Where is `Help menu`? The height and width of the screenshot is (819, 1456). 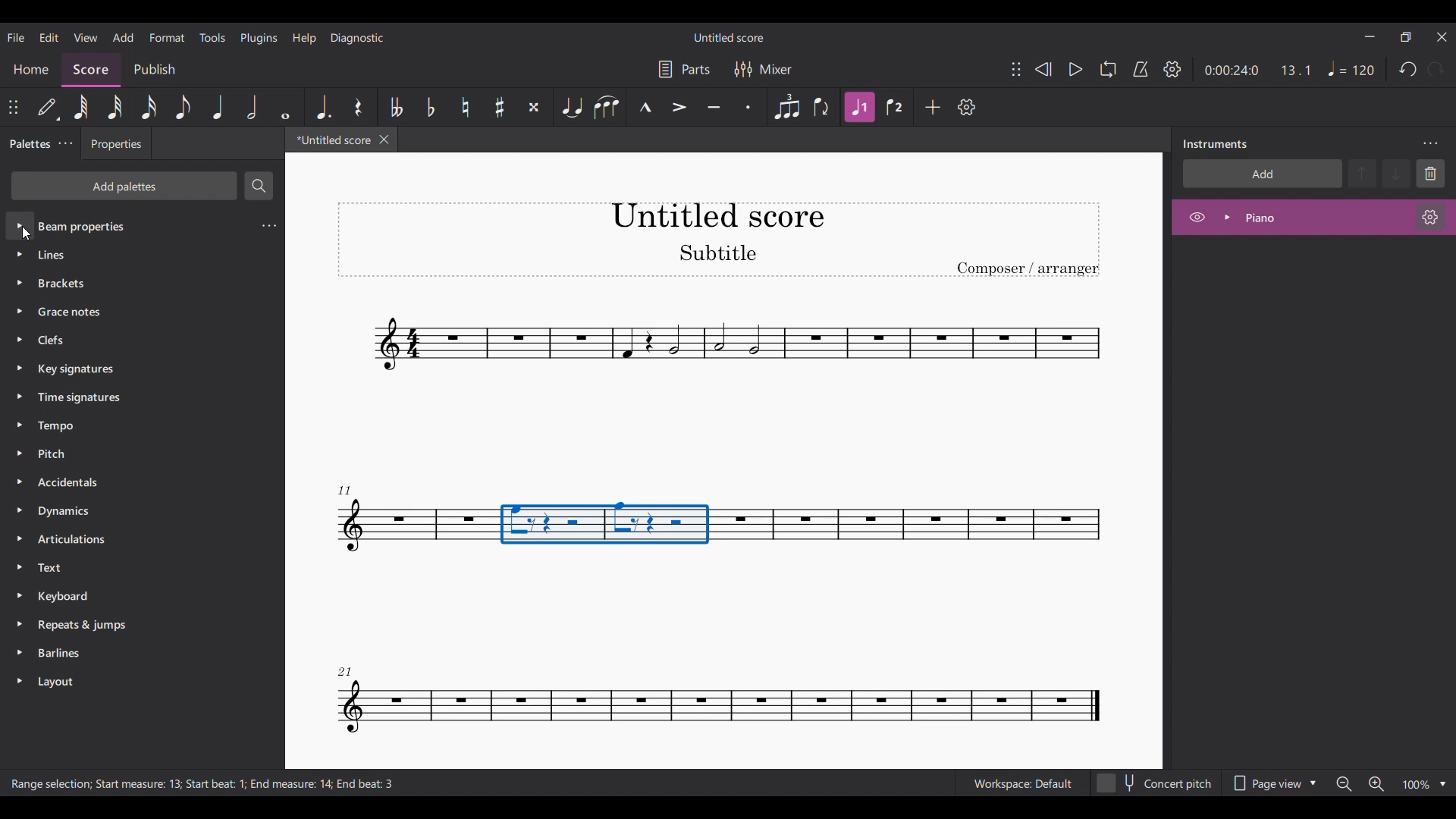
Help menu is located at coordinates (304, 39).